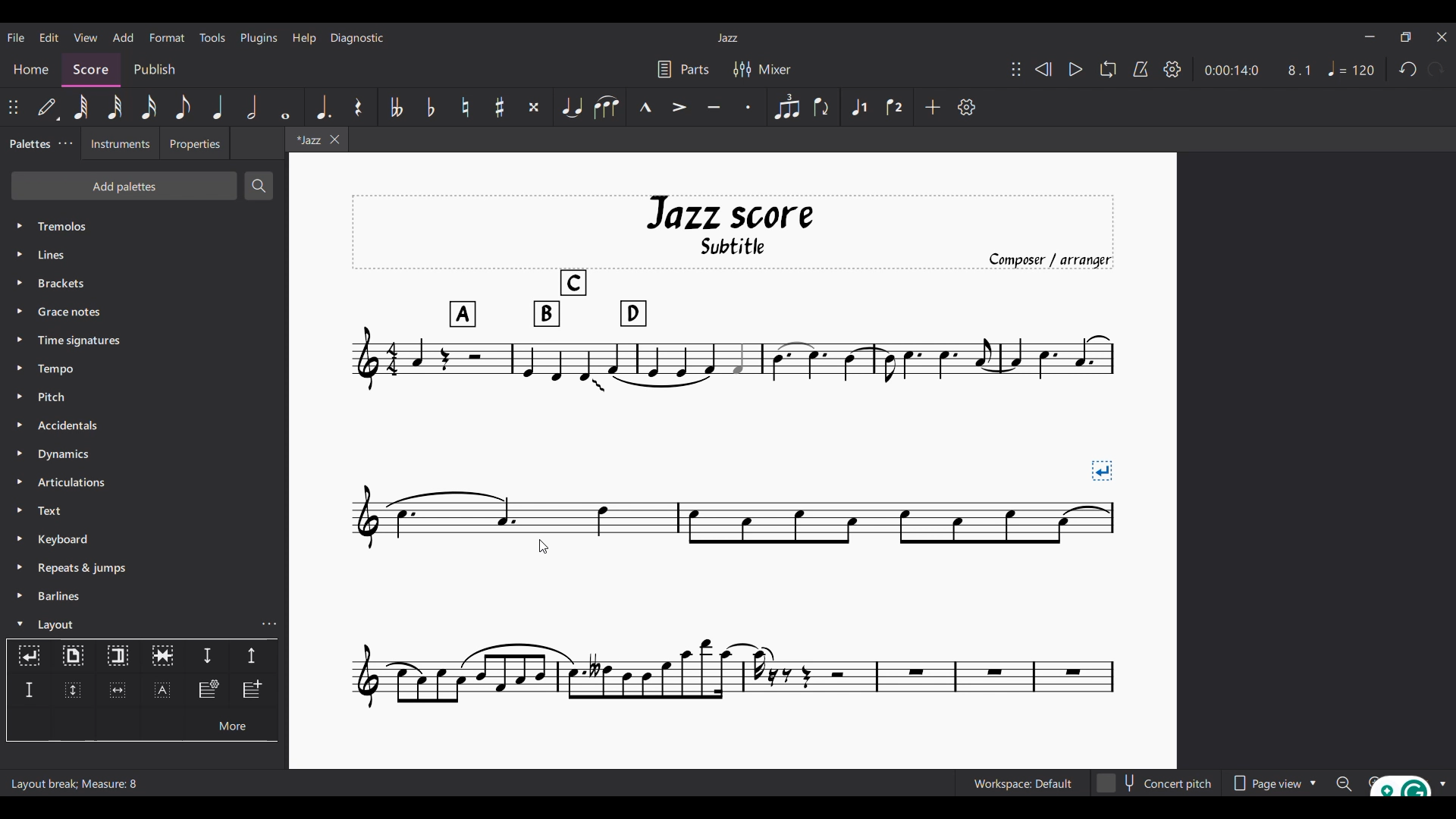  I want to click on Redo, so click(1436, 68).